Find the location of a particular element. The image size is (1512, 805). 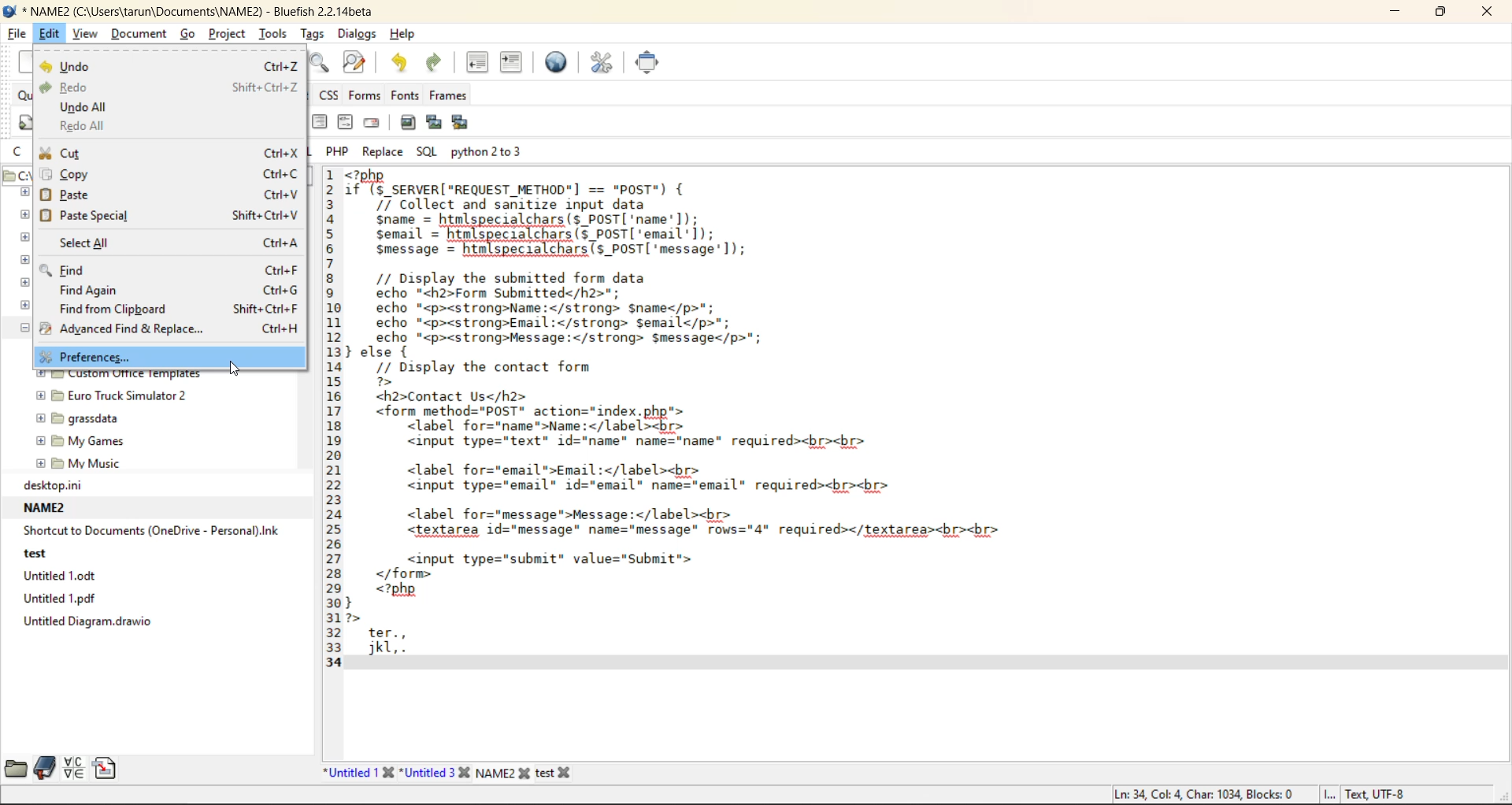

document is located at coordinates (138, 35).